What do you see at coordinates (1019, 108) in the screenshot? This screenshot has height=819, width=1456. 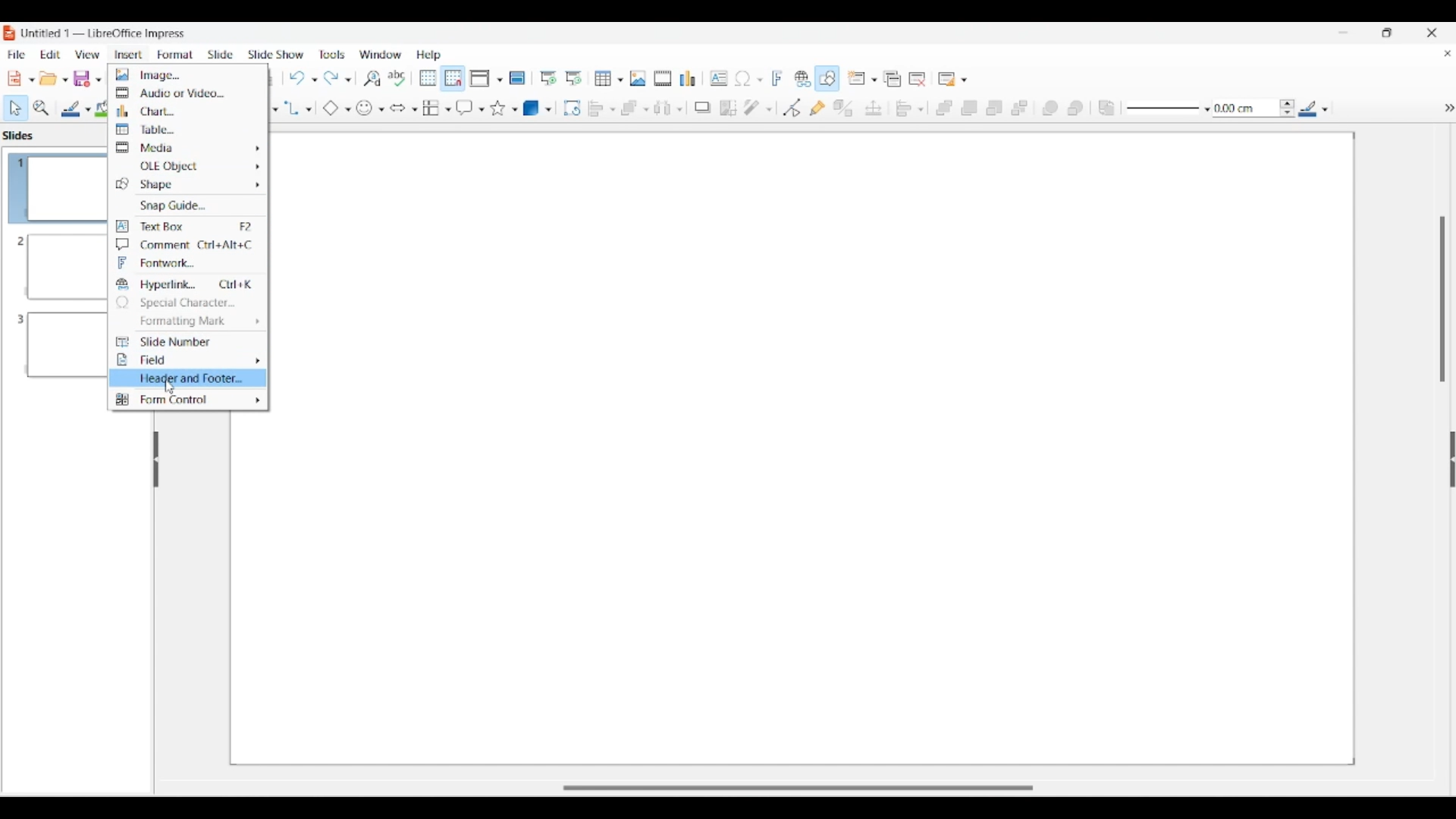 I see `Send to back` at bounding box center [1019, 108].